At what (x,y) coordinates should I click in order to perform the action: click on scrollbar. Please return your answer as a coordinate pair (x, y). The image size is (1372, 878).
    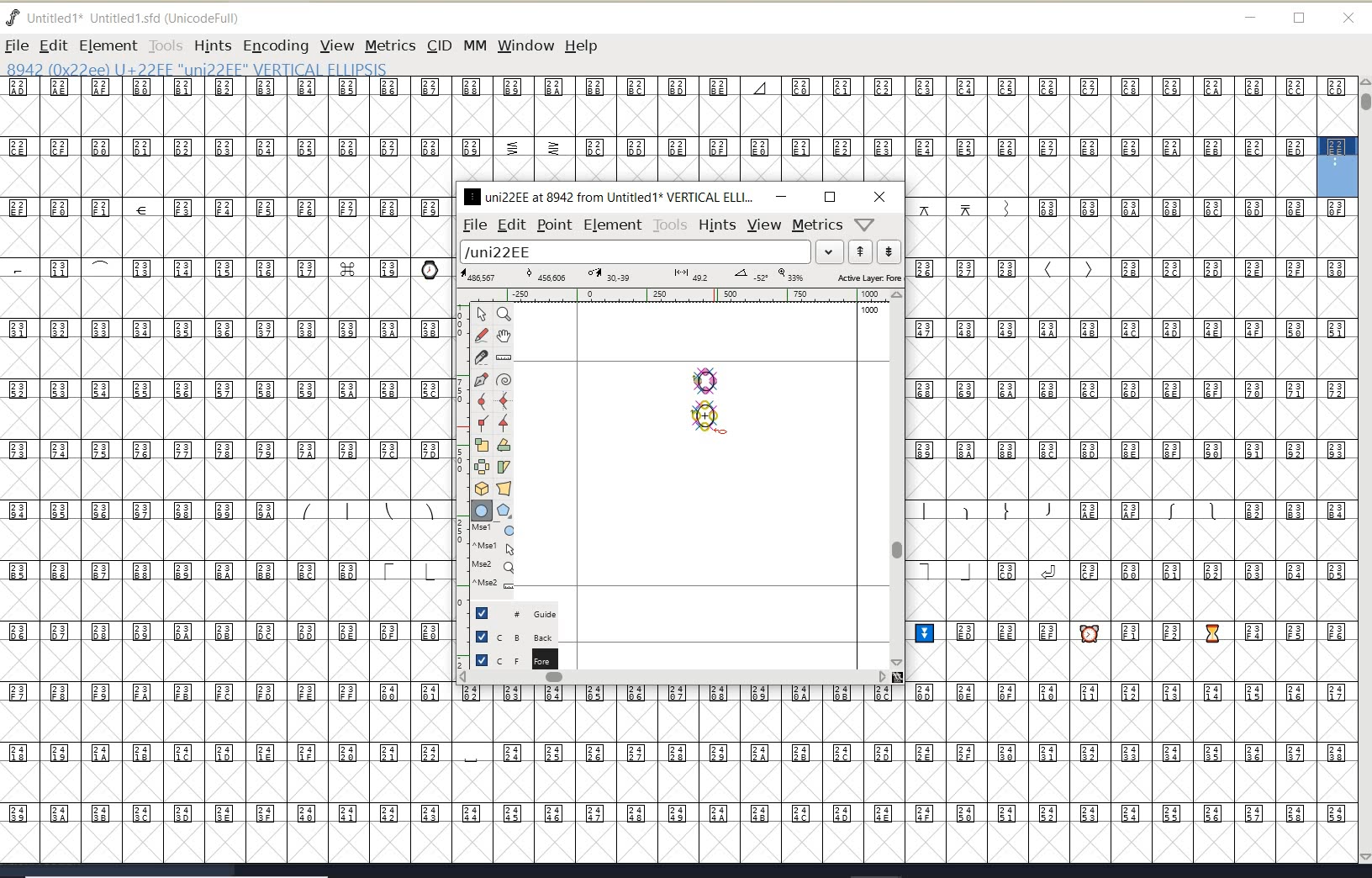
    Looking at the image, I should click on (673, 679).